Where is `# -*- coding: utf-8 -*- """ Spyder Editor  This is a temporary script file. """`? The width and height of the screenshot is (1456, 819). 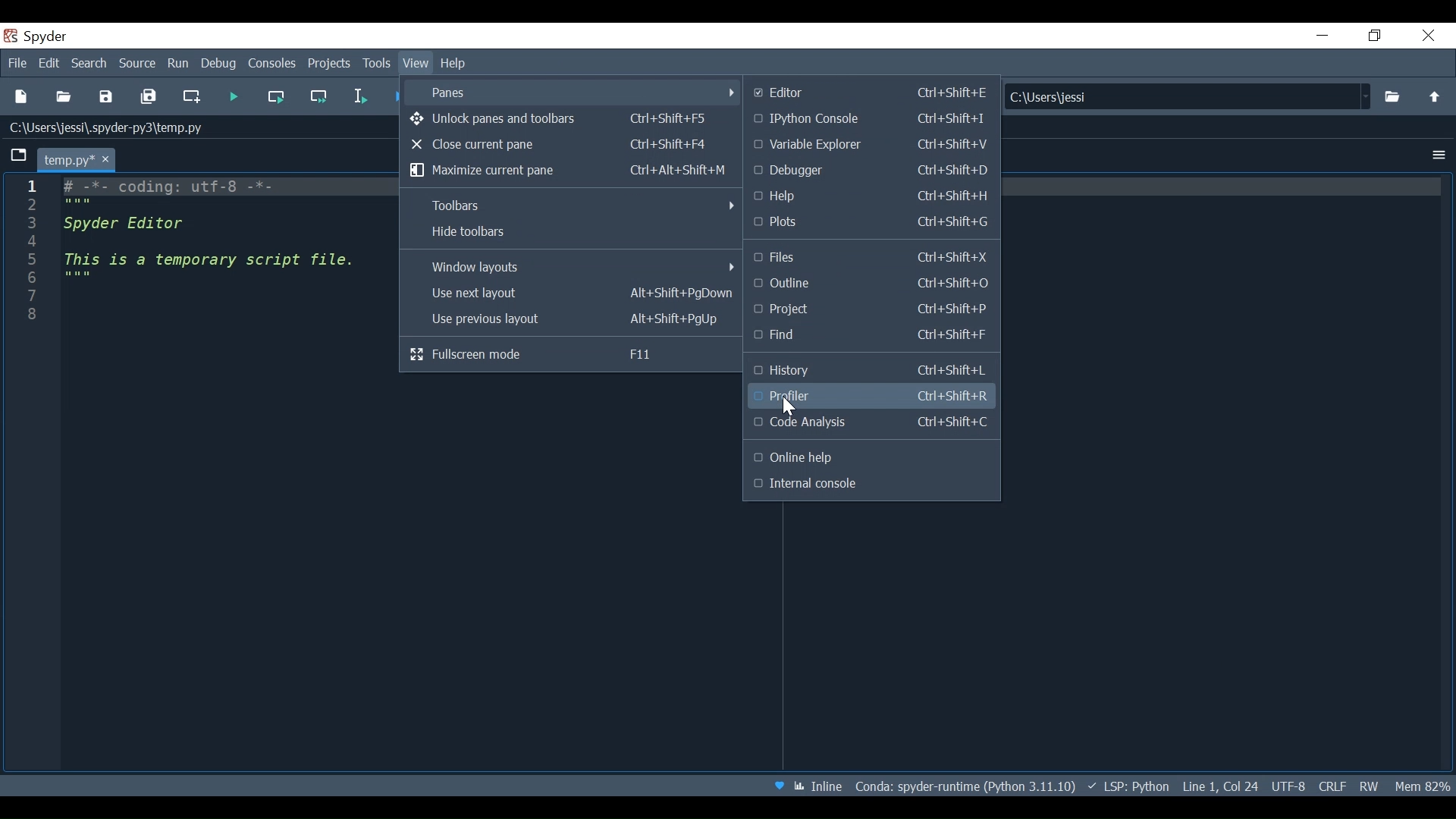
# -*- coding: utf-8 -*- """ Spyder Editor  This is a temporary script file. """ is located at coordinates (231, 266).